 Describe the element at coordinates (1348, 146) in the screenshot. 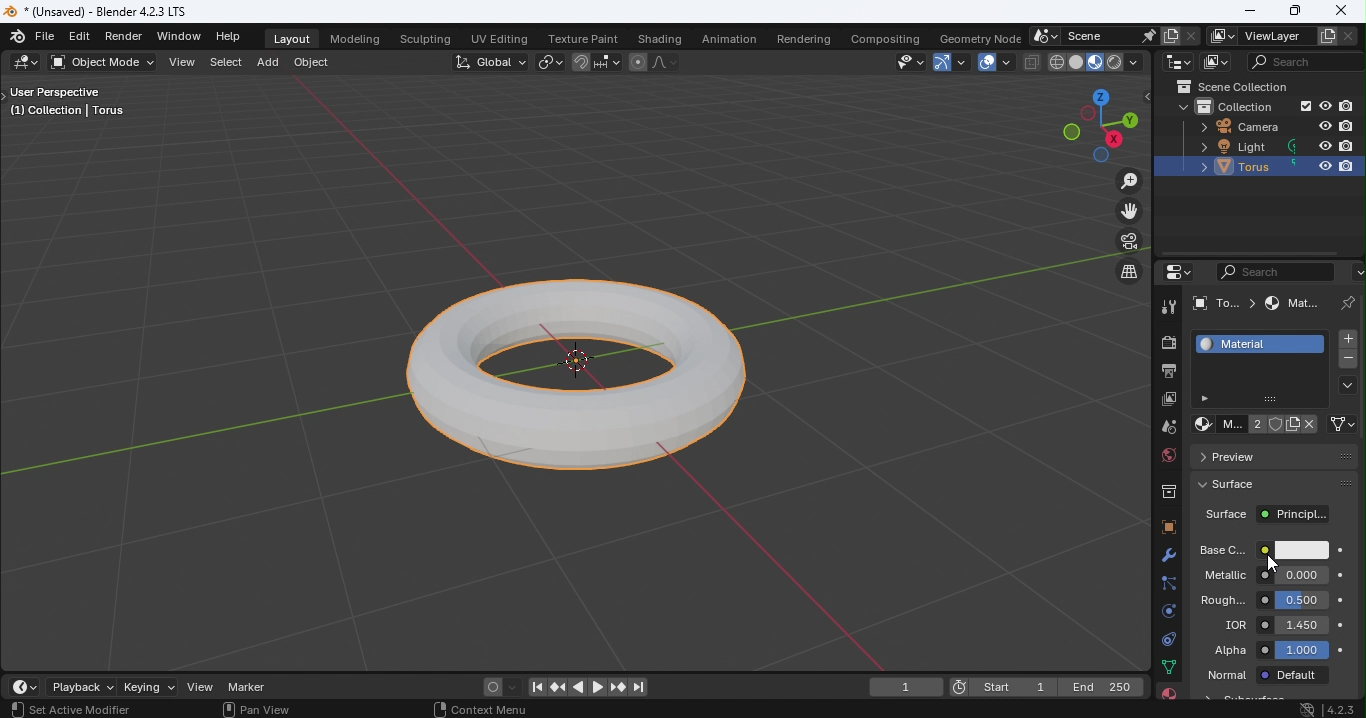

I see `Disable in renders` at that location.